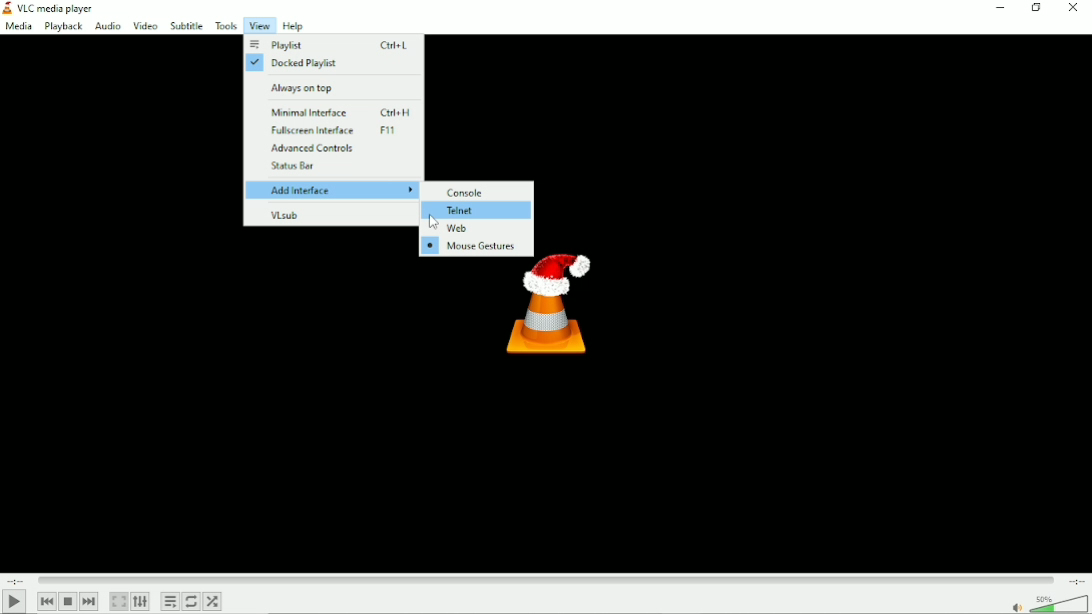 The width and height of the screenshot is (1092, 614). I want to click on Web, so click(474, 229).